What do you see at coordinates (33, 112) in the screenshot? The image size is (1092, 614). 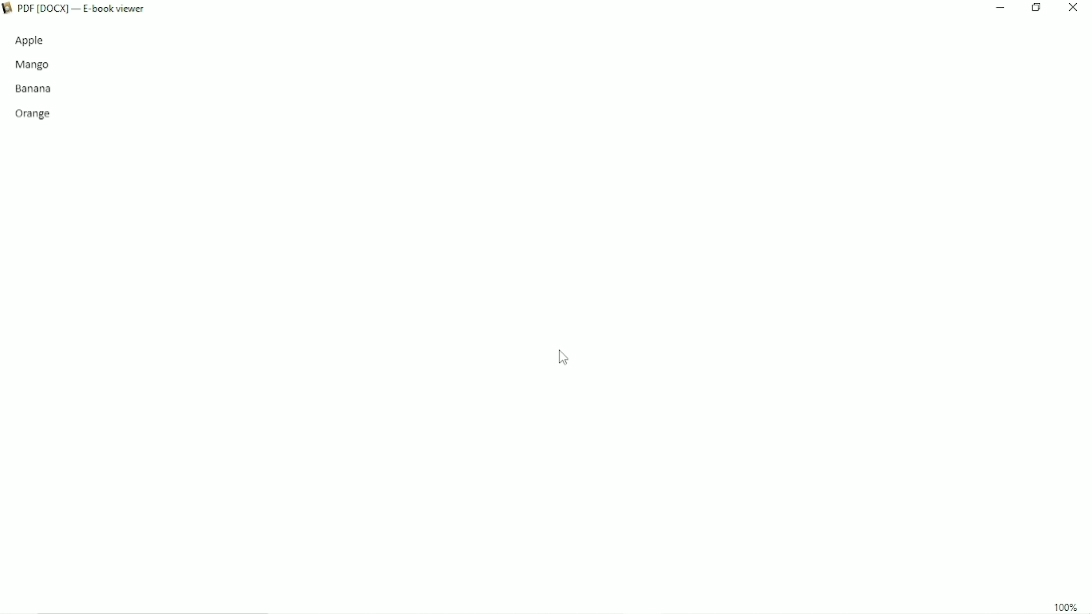 I see `Orange` at bounding box center [33, 112].